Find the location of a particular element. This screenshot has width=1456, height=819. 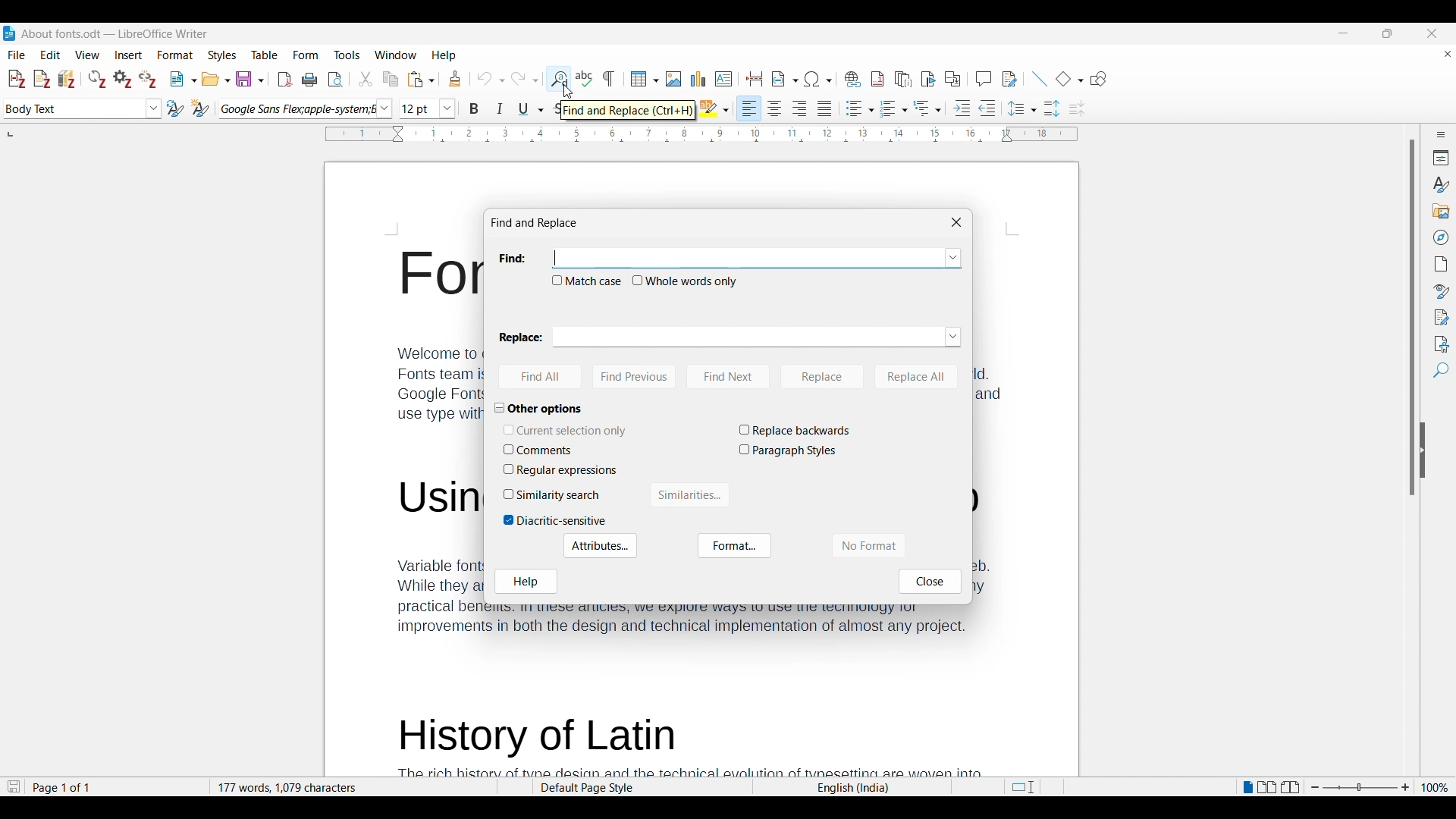

Current page w.r.t. total number of pages is located at coordinates (115, 788).